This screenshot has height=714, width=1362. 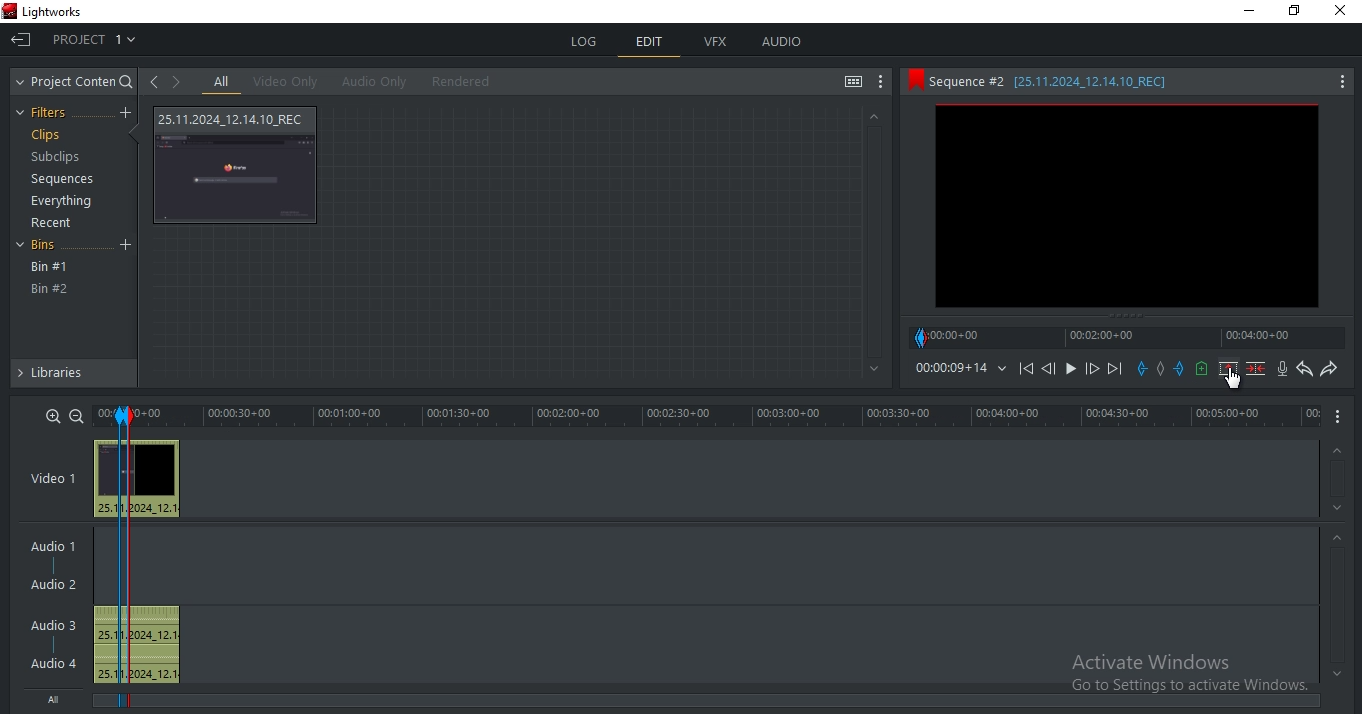 What do you see at coordinates (1246, 12) in the screenshot?
I see `Minimize` at bounding box center [1246, 12].